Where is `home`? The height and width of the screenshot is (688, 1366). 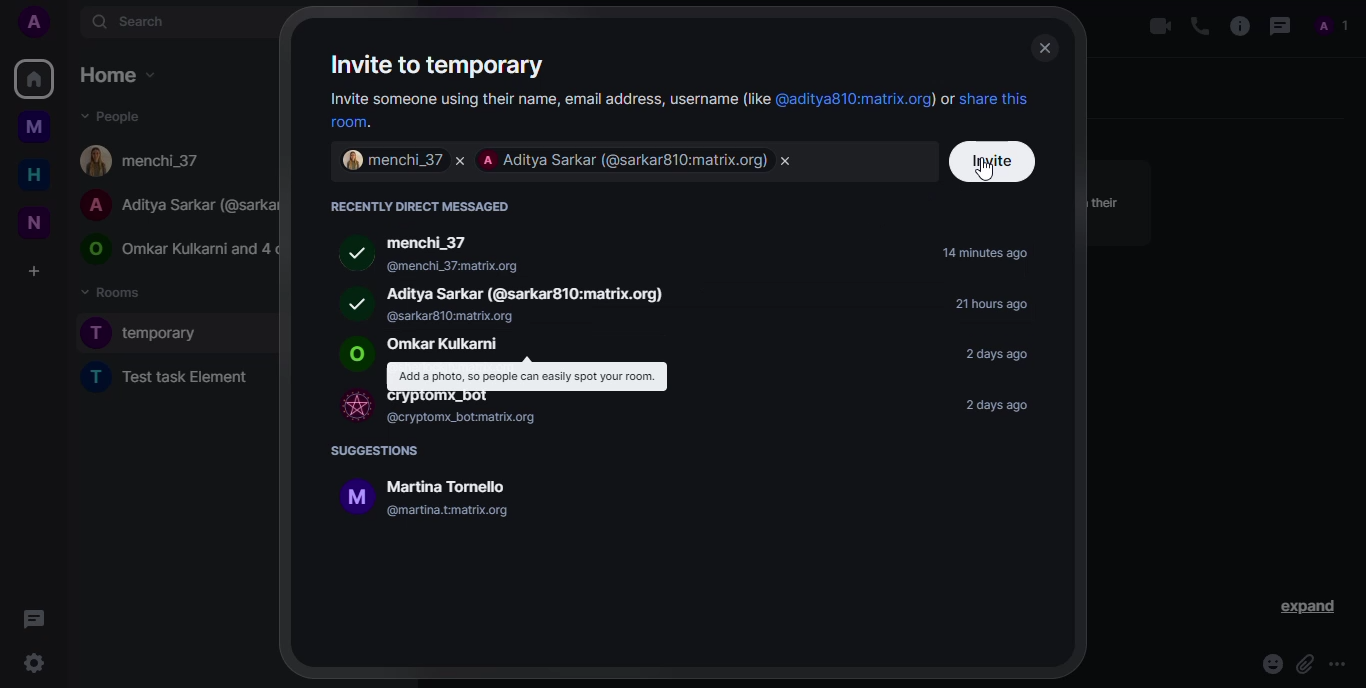
home is located at coordinates (33, 78).